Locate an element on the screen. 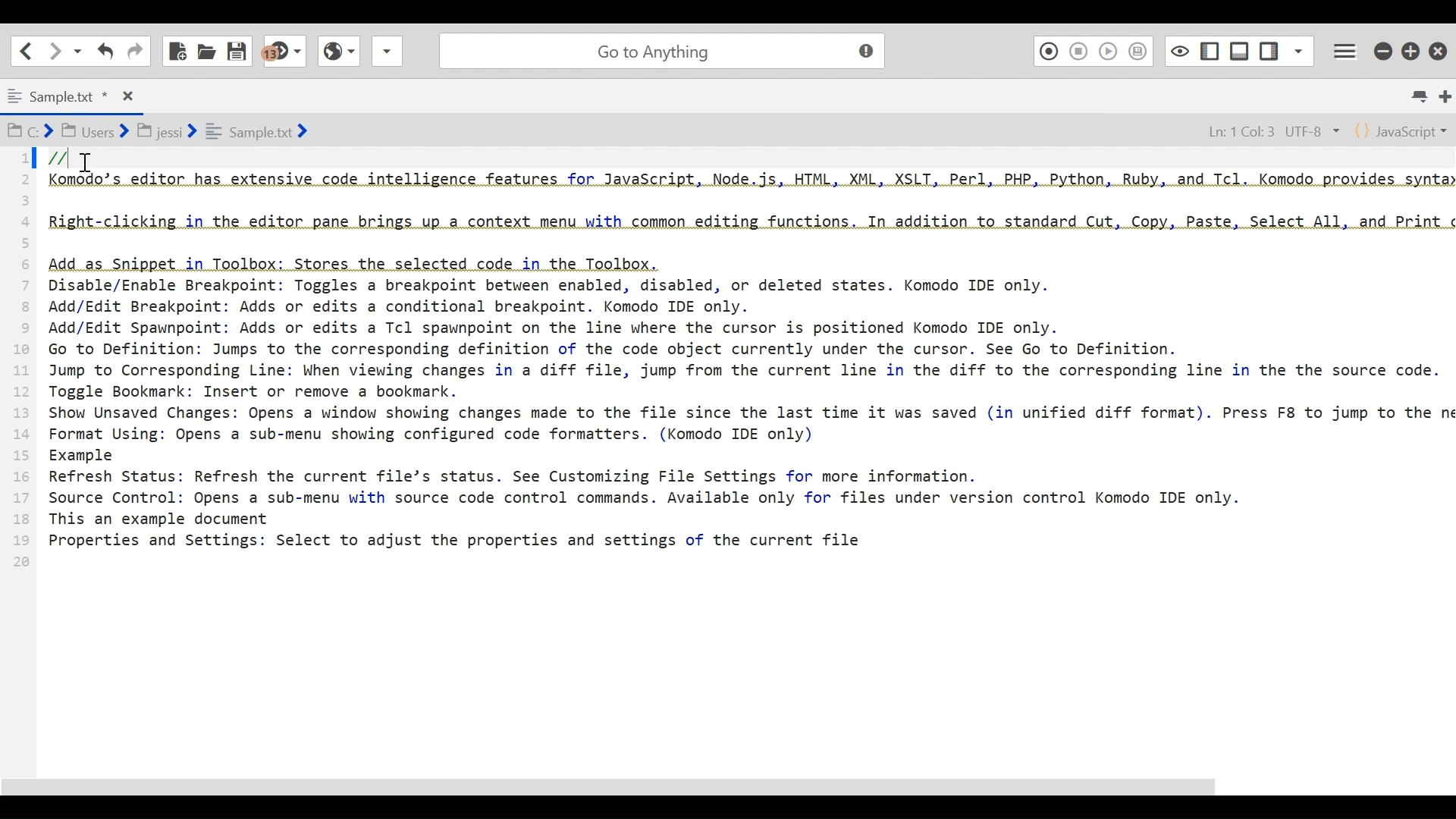  New Tab is located at coordinates (1445, 96).